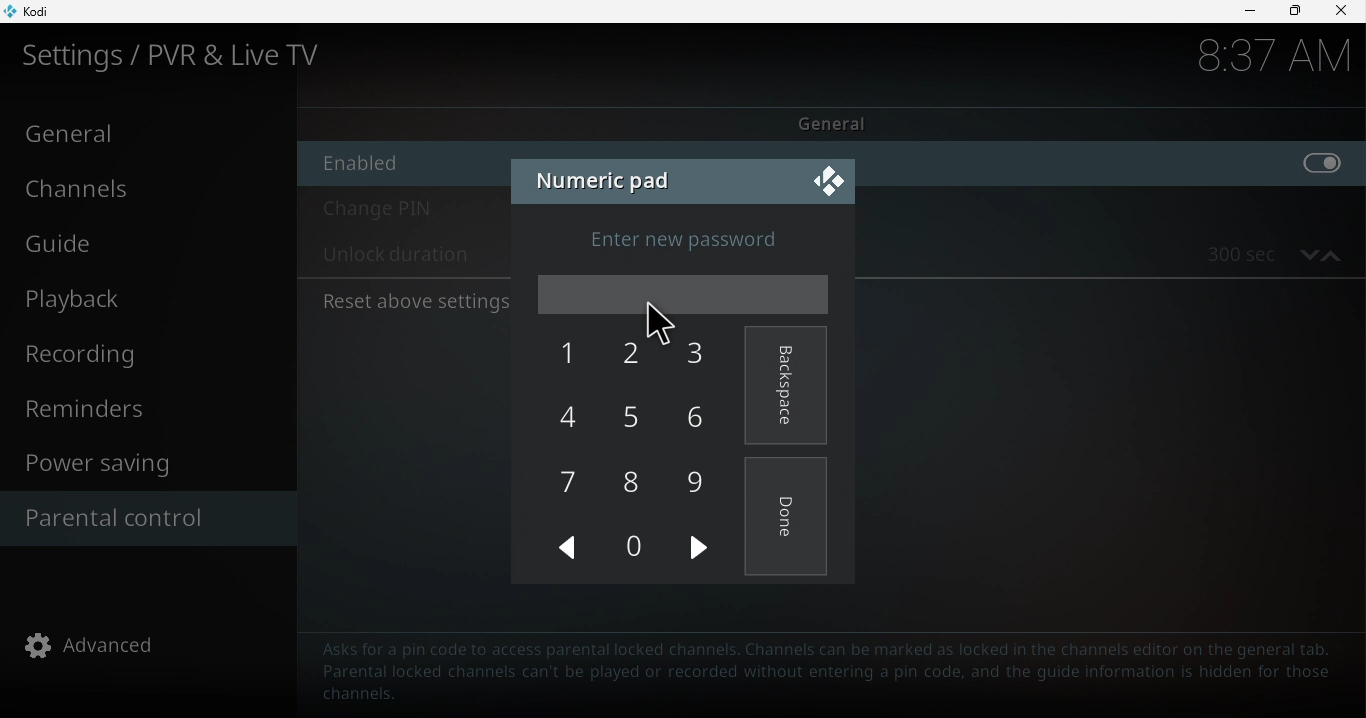  What do you see at coordinates (787, 382) in the screenshot?
I see `Backspace` at bounding box center [787, 382].